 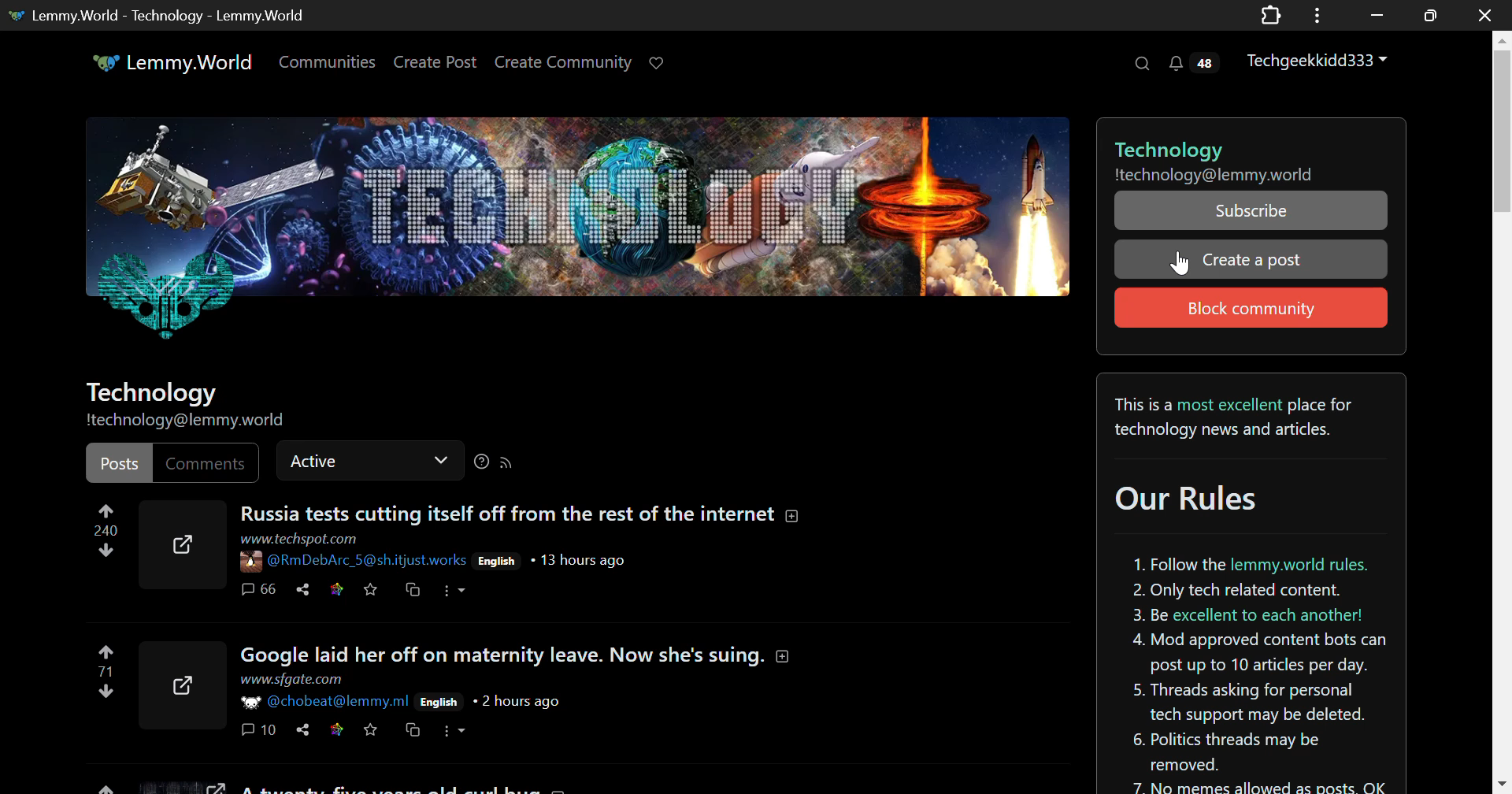 I want to click on Cross-post, so click(x=413, y=589).